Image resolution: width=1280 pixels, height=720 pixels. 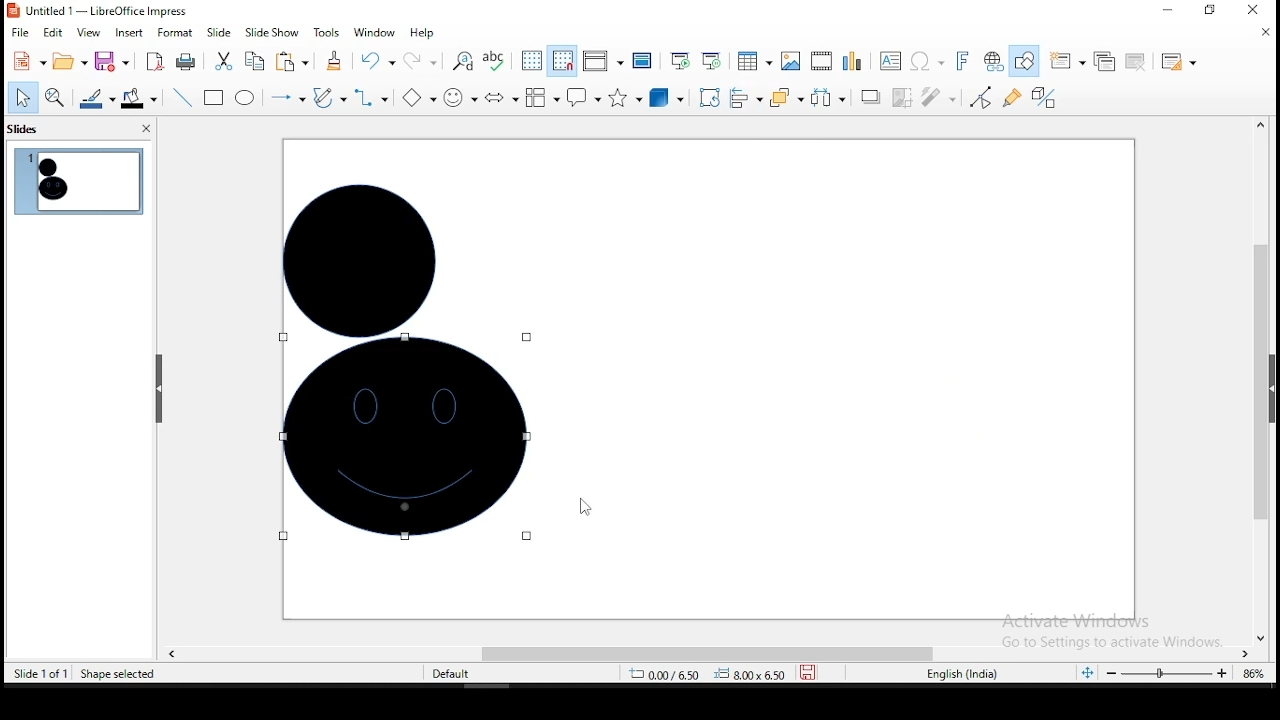 I want to click on tables, so click(x=754, y=64).